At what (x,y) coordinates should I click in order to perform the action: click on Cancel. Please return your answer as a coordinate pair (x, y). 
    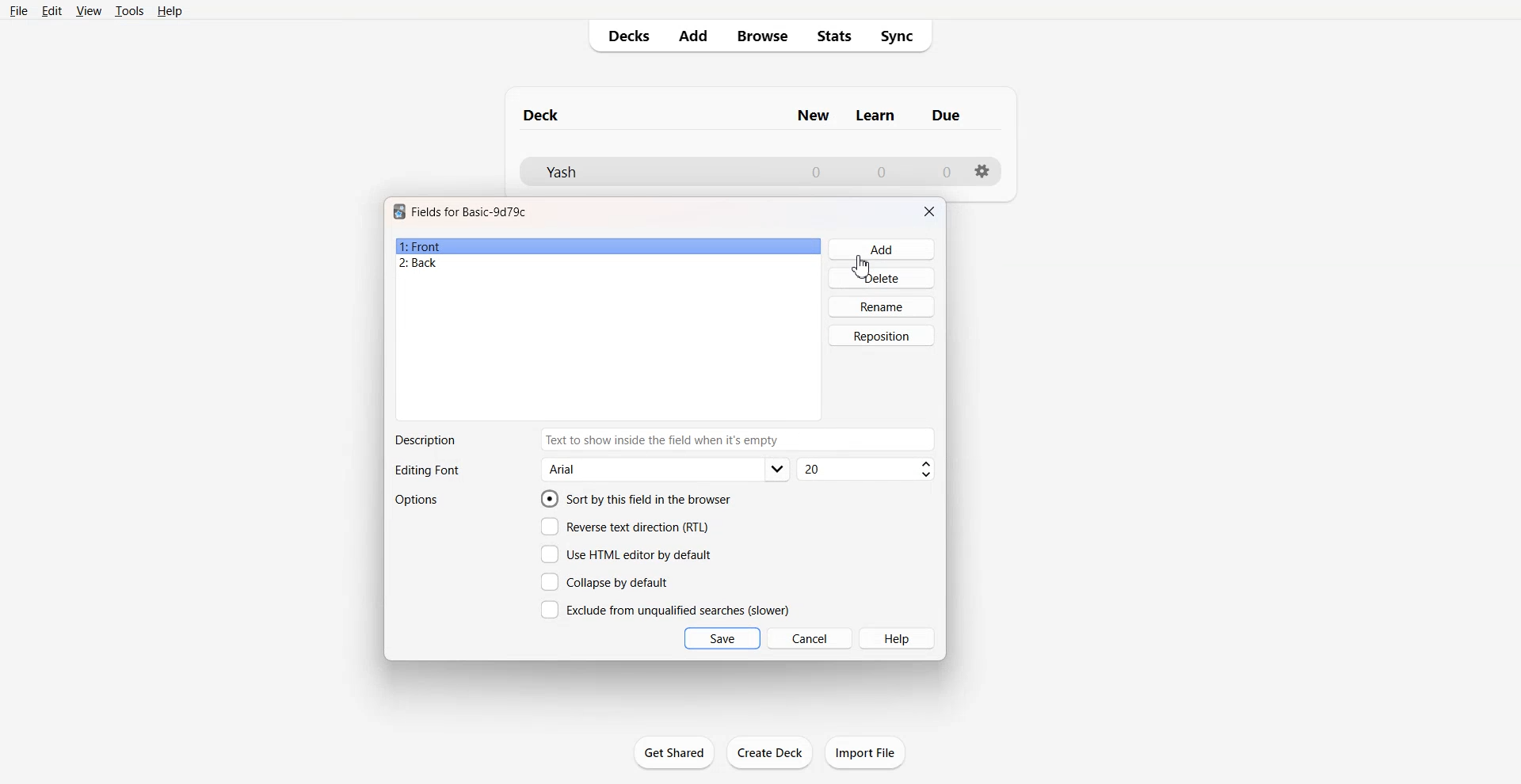
    Looking at the image, I should click on (810, 637).